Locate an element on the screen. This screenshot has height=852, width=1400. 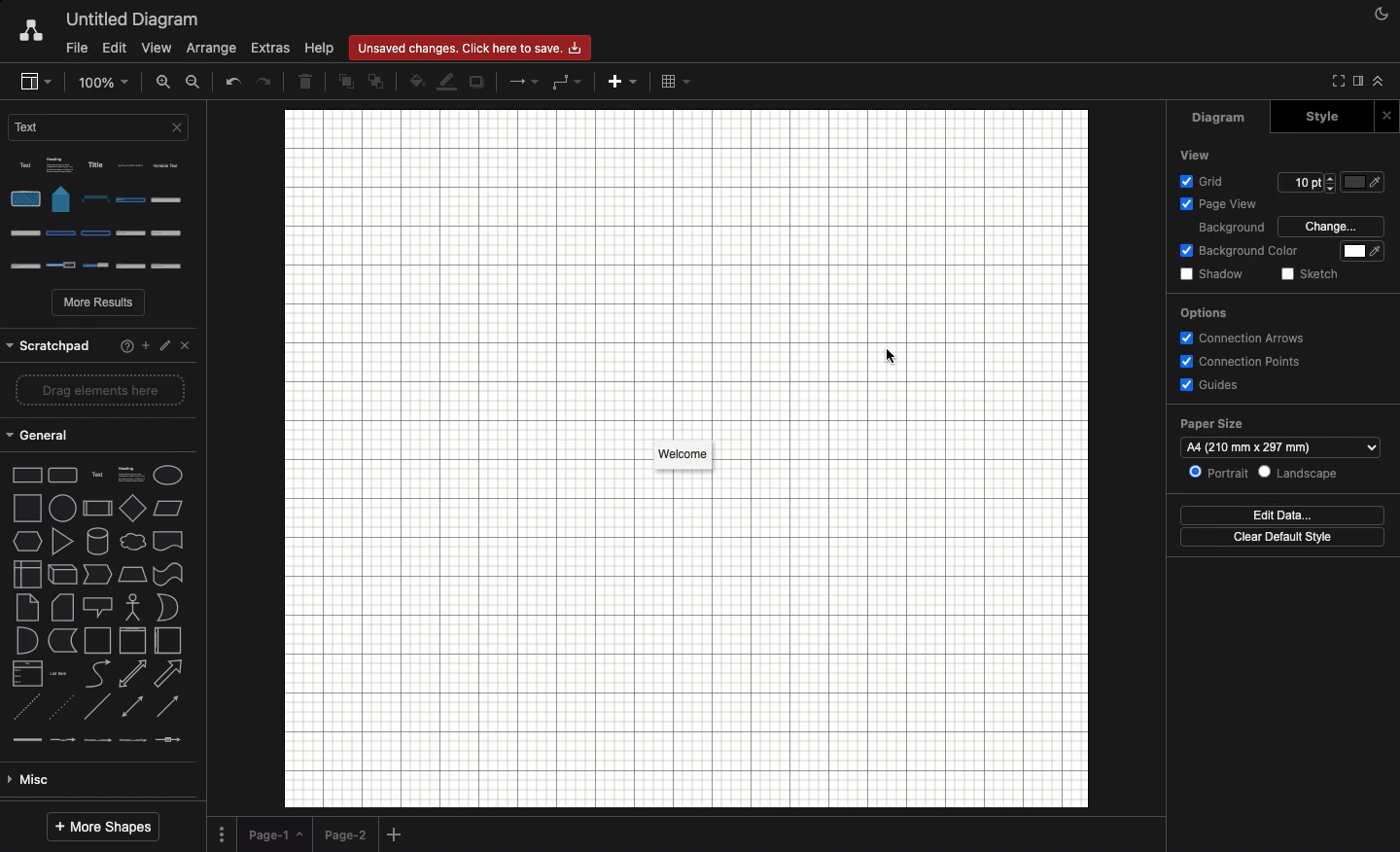
Help is located at coordinates (319, 49).